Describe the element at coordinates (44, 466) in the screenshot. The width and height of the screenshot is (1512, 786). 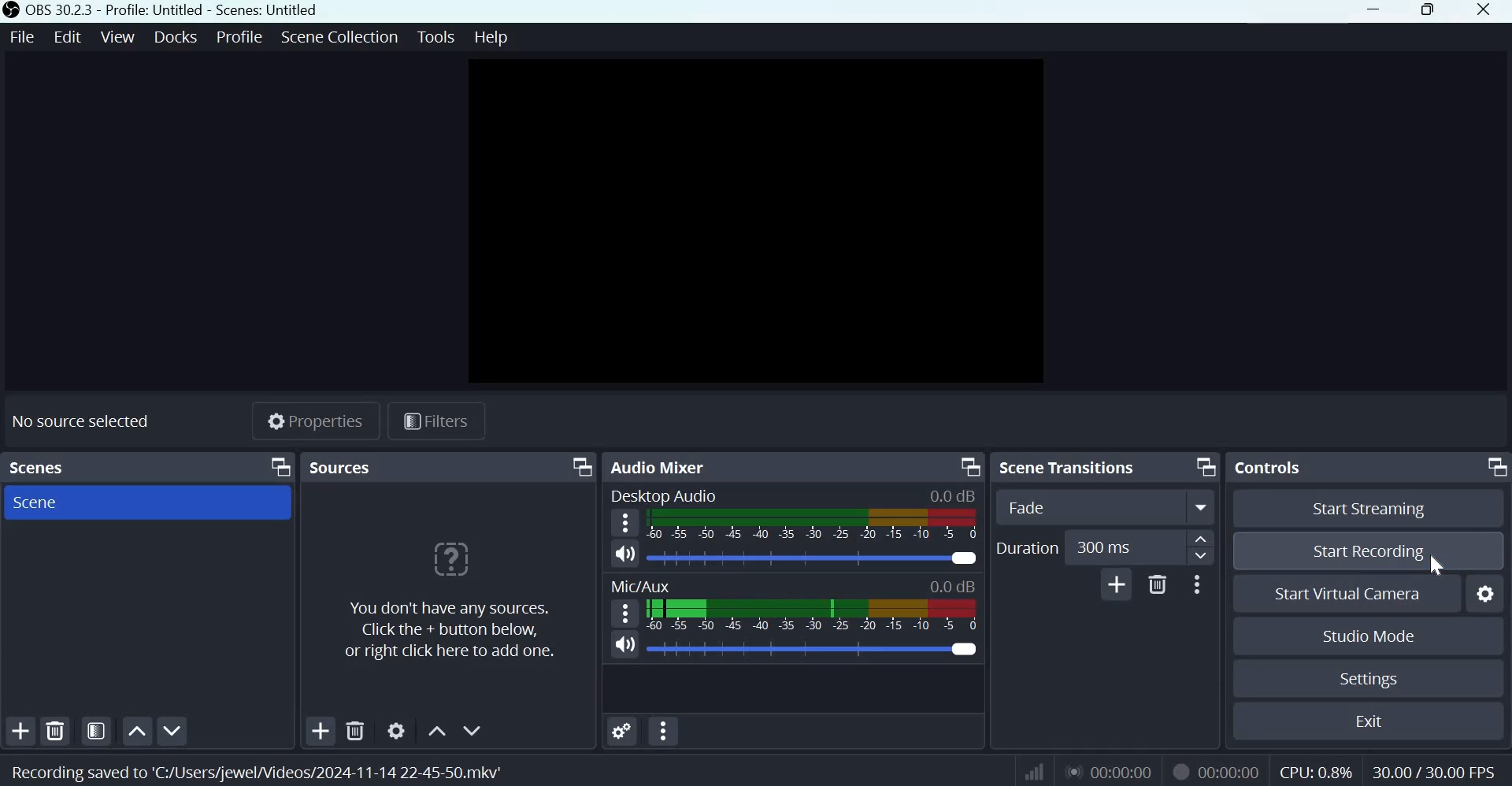
I see `Scenes` at that location.